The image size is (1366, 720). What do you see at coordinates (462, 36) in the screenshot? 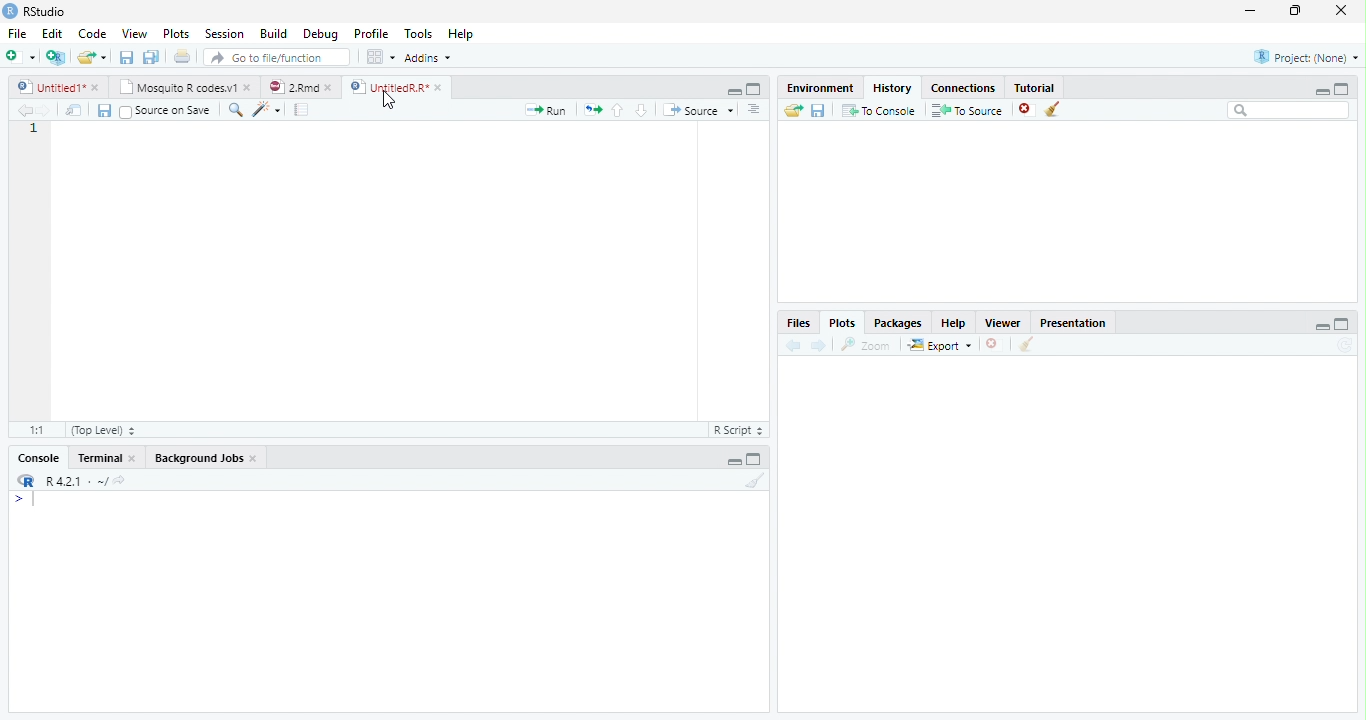
I see `Help` at bounding box center [462, 36].